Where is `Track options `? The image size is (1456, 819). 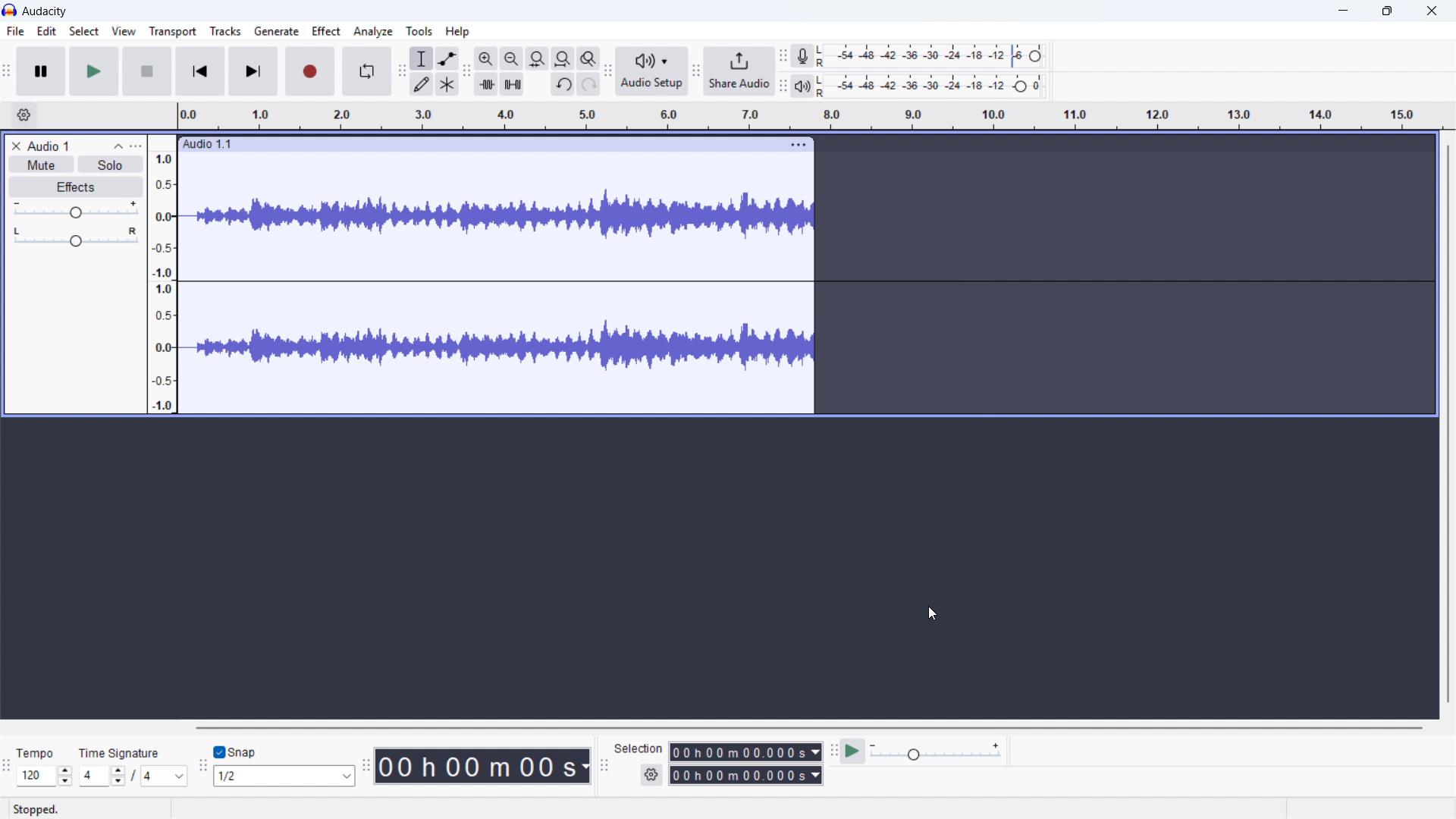
Track options  is located at coordinates (798, 144).